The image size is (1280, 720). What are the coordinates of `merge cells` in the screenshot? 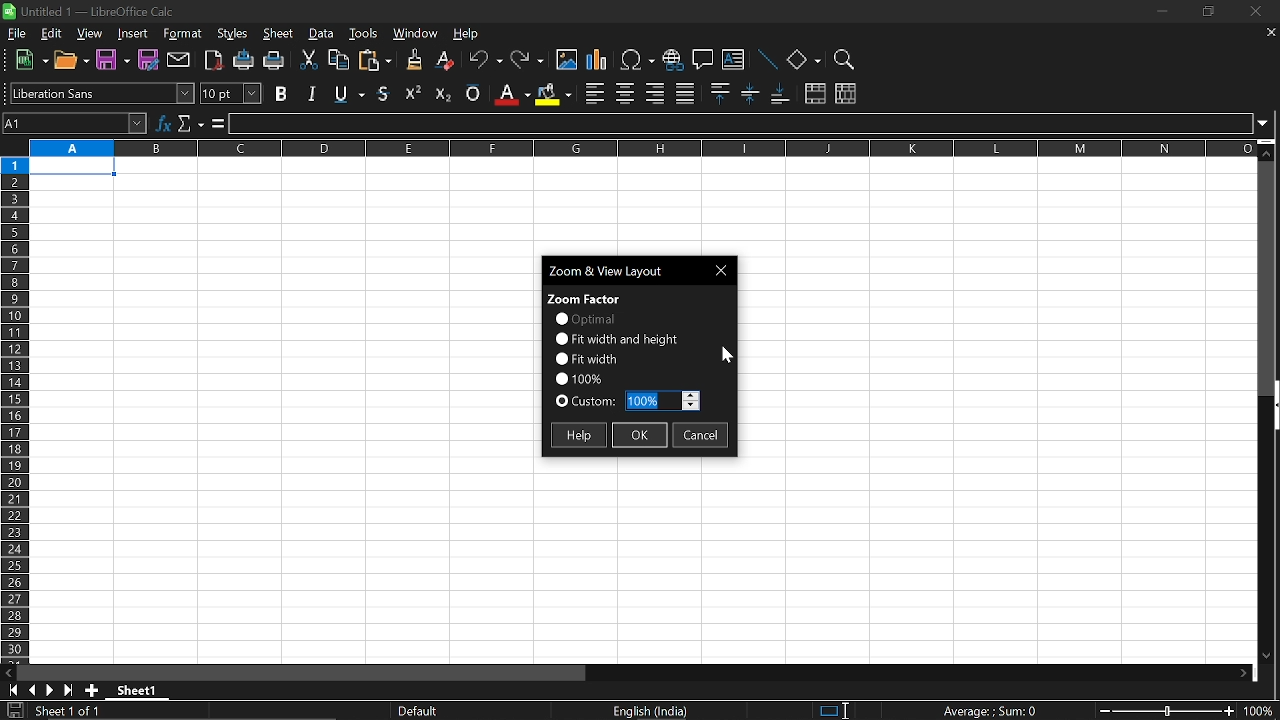 It's located at (815, 95).